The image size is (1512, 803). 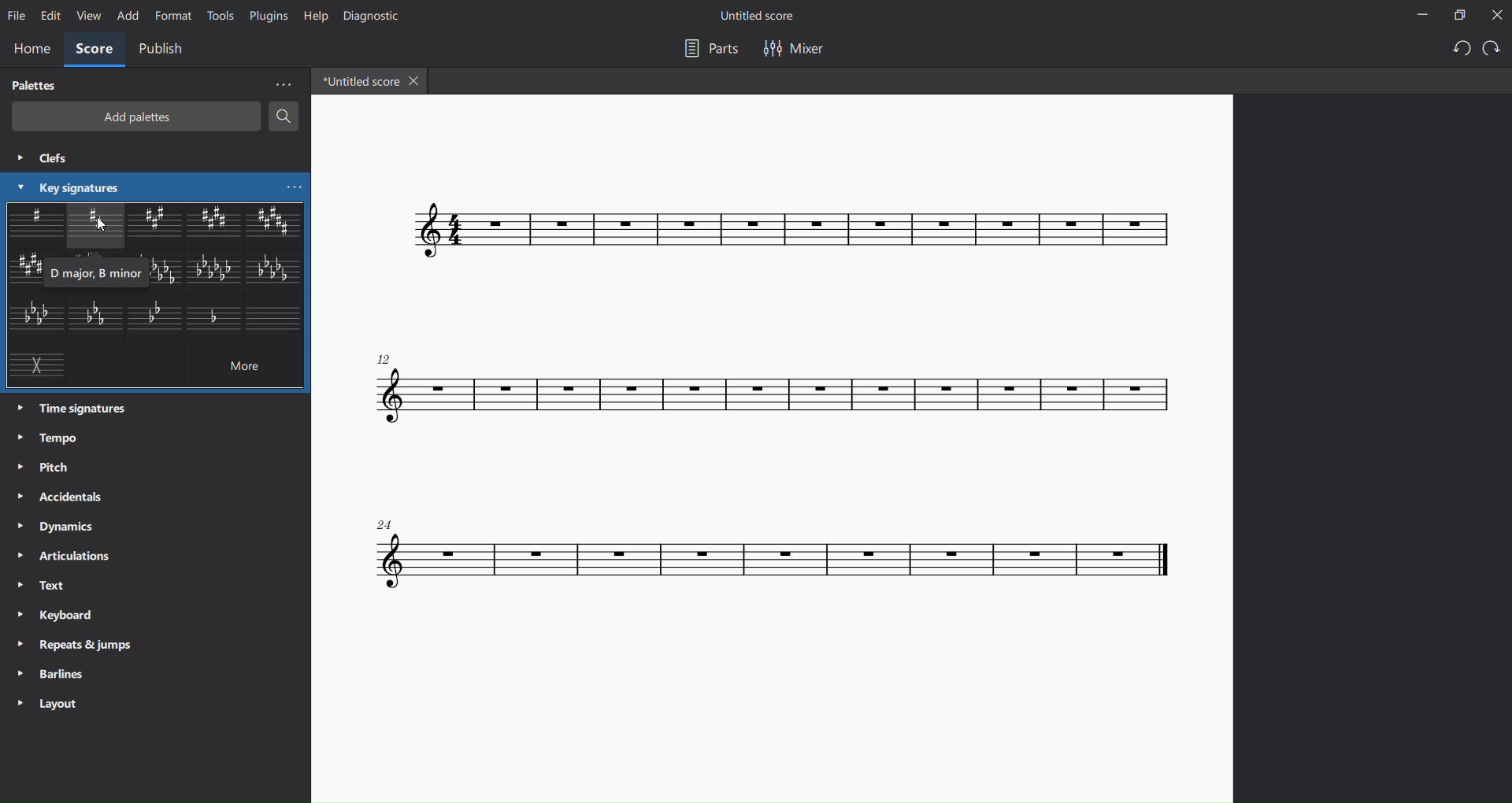 I want to click on mixer, so click(x=805, y=48).